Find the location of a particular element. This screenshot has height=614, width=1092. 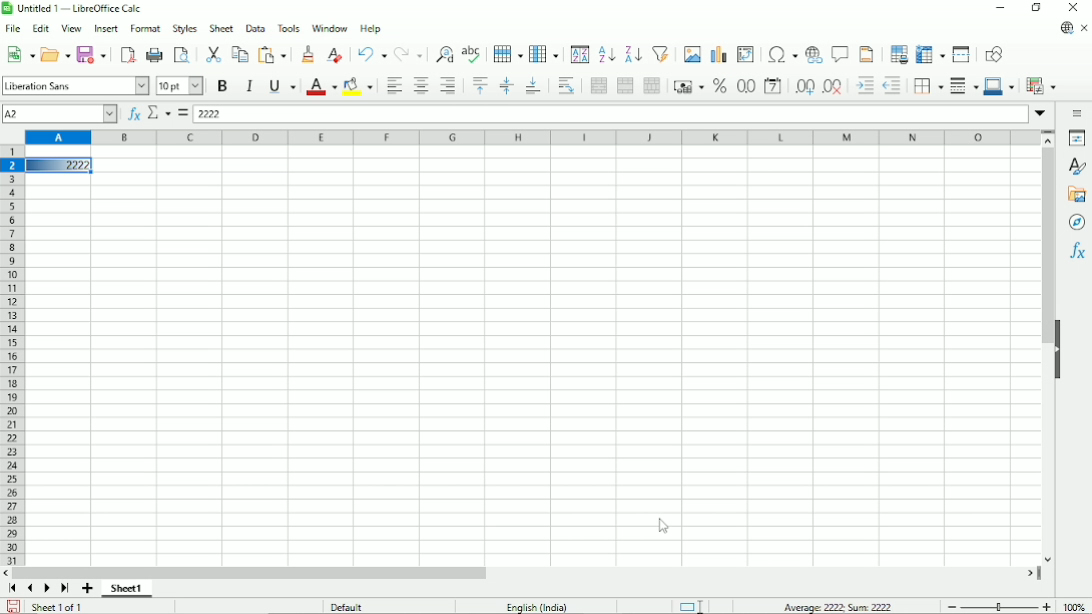

View is located at coordinates (72, 27).